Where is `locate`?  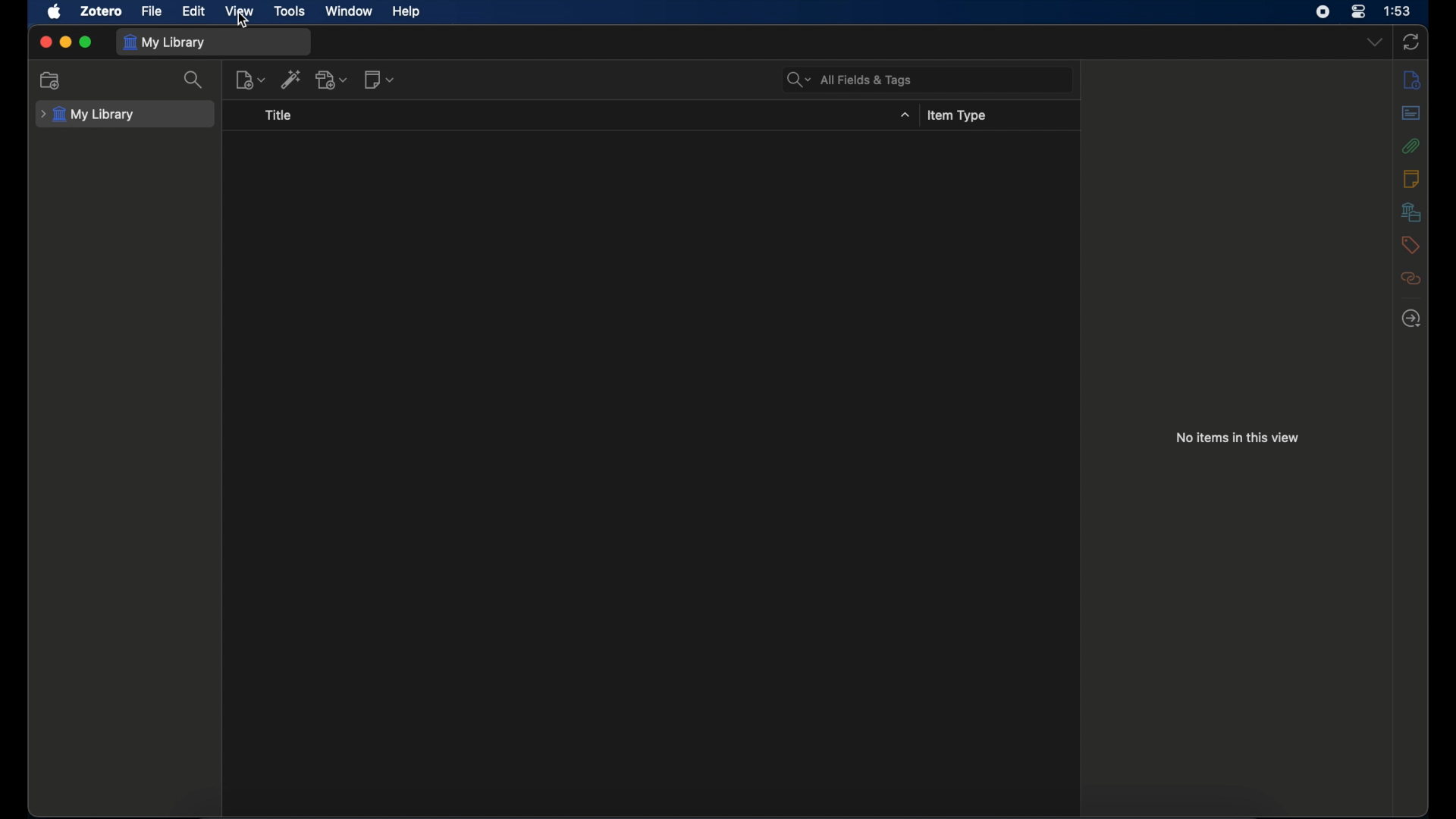 locate is located at coordinates (1412, 319).